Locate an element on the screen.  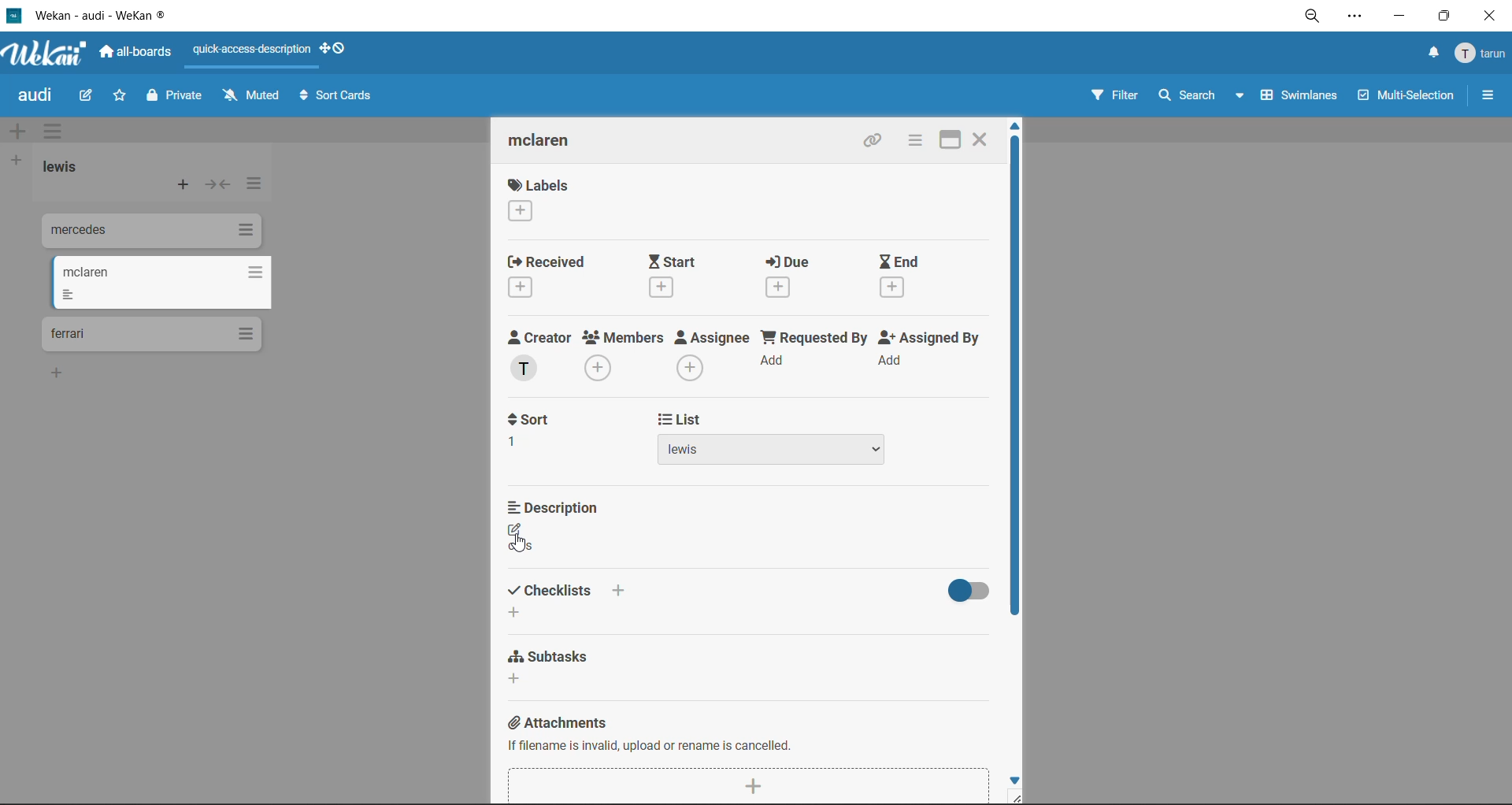
close is located at coordinates (1494, 16).